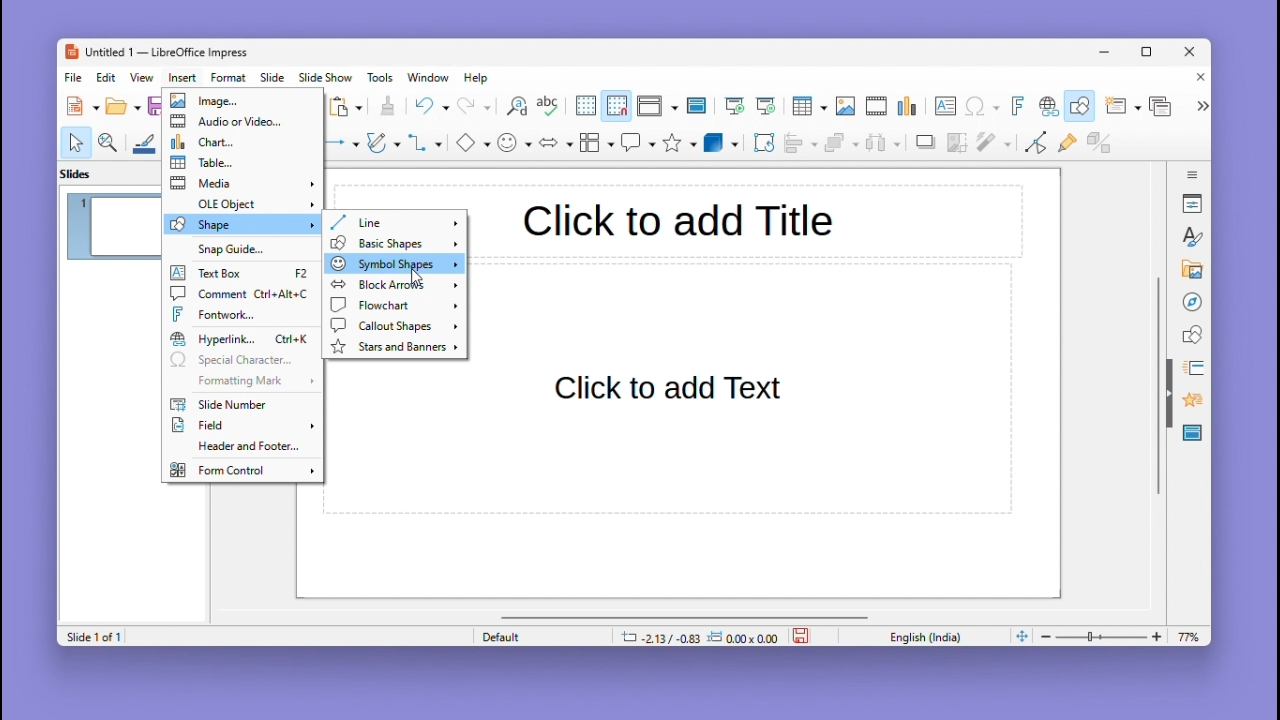 Image resolution: width=1280 pixels, height=720 pixels. What do you see at coordinates (155, 53) in the screenshot?
I see `File name` at bounding box center [155, 53].